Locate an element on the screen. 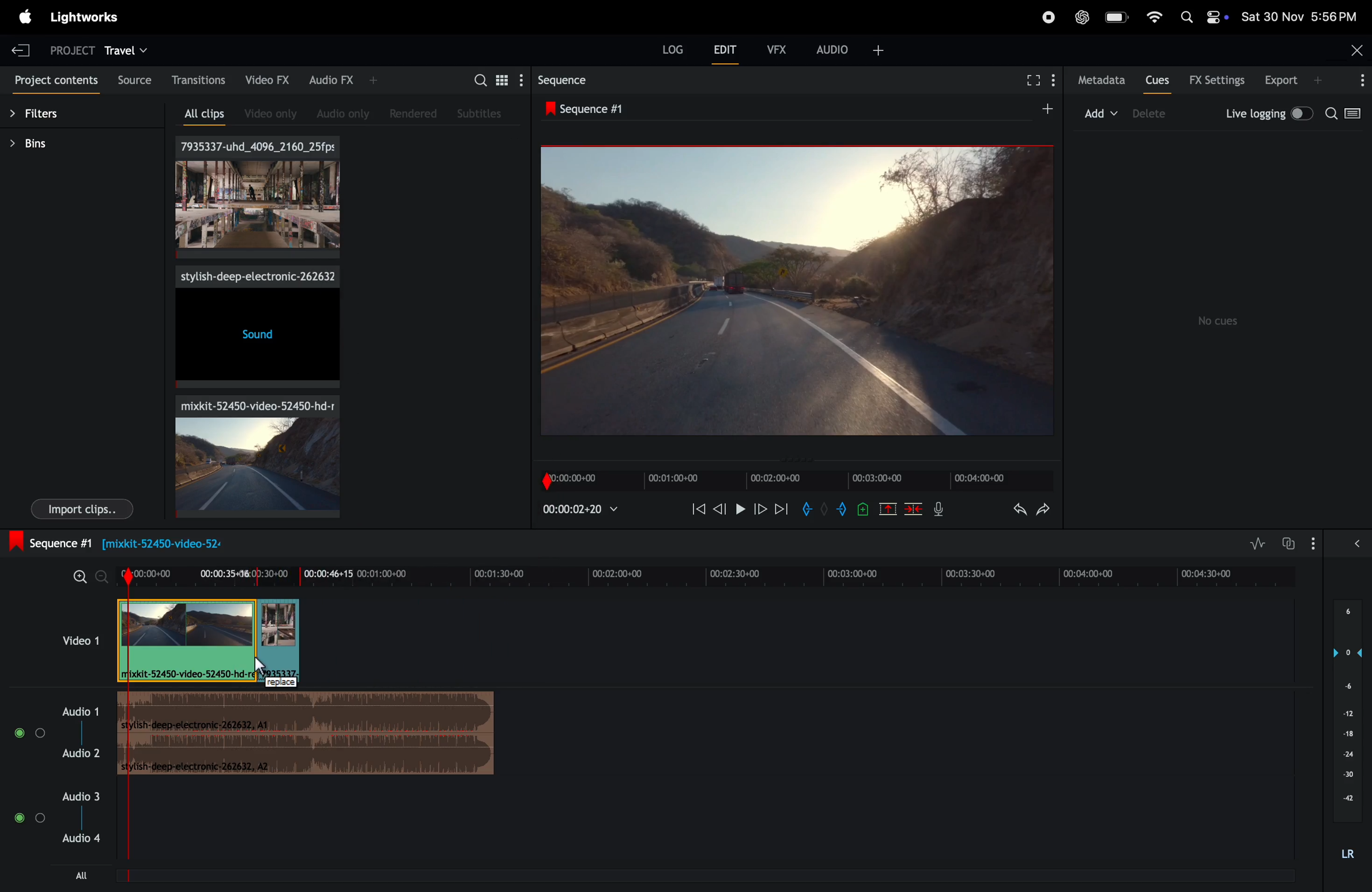 This screenshot has height=892, width=1372. playback time is located at coordinates (585, 509).